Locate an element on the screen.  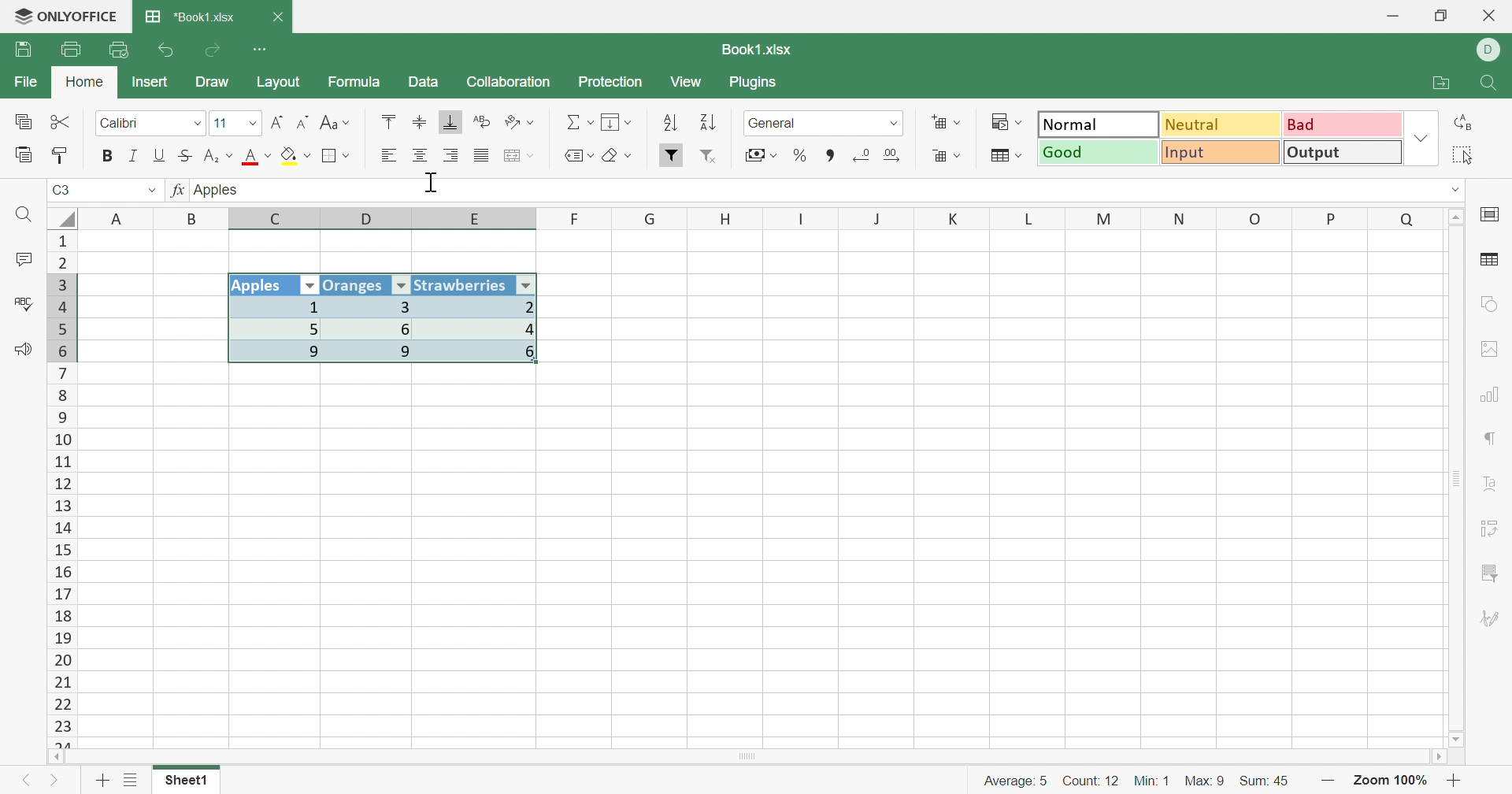
Collaboration is located at coordinates (508, 80).